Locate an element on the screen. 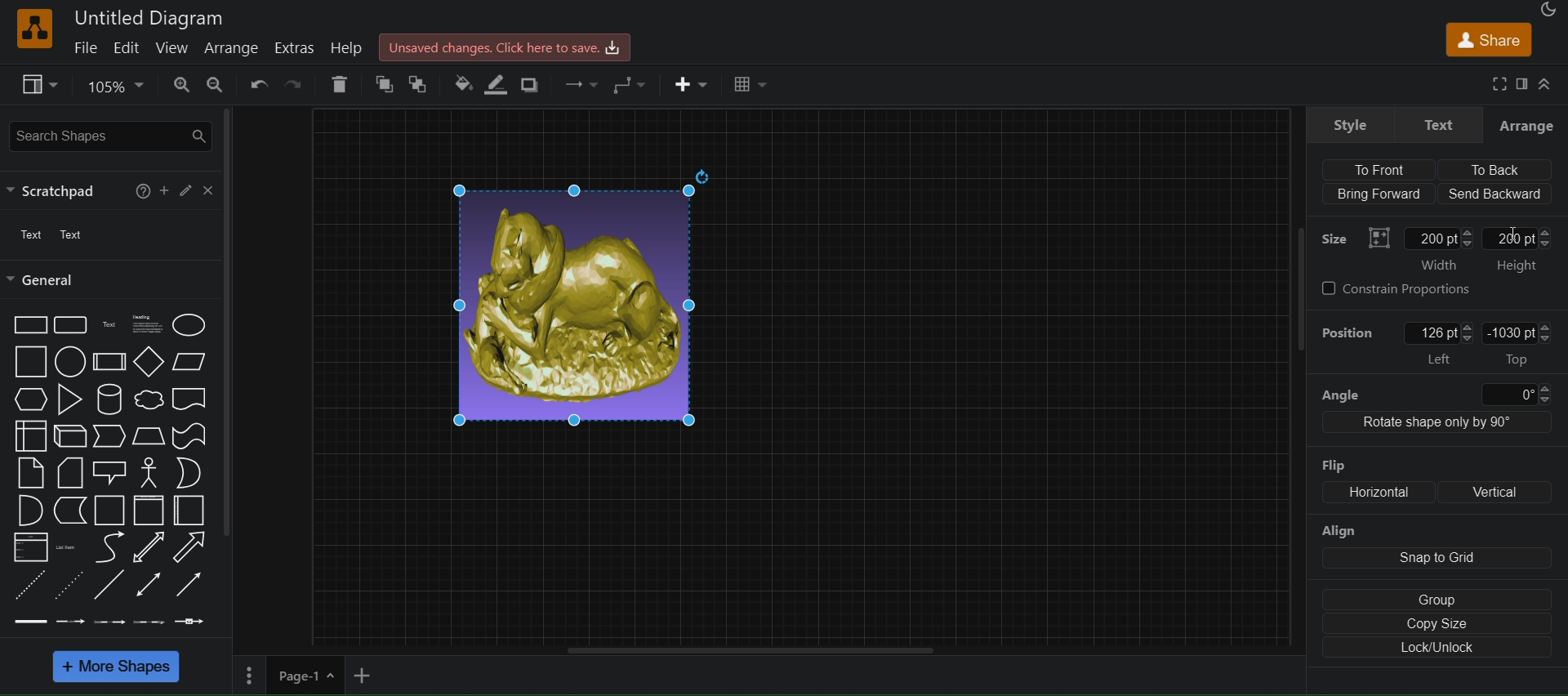 This screenshot has height=696, width=1568. Add is located at coordinates (162, 191).